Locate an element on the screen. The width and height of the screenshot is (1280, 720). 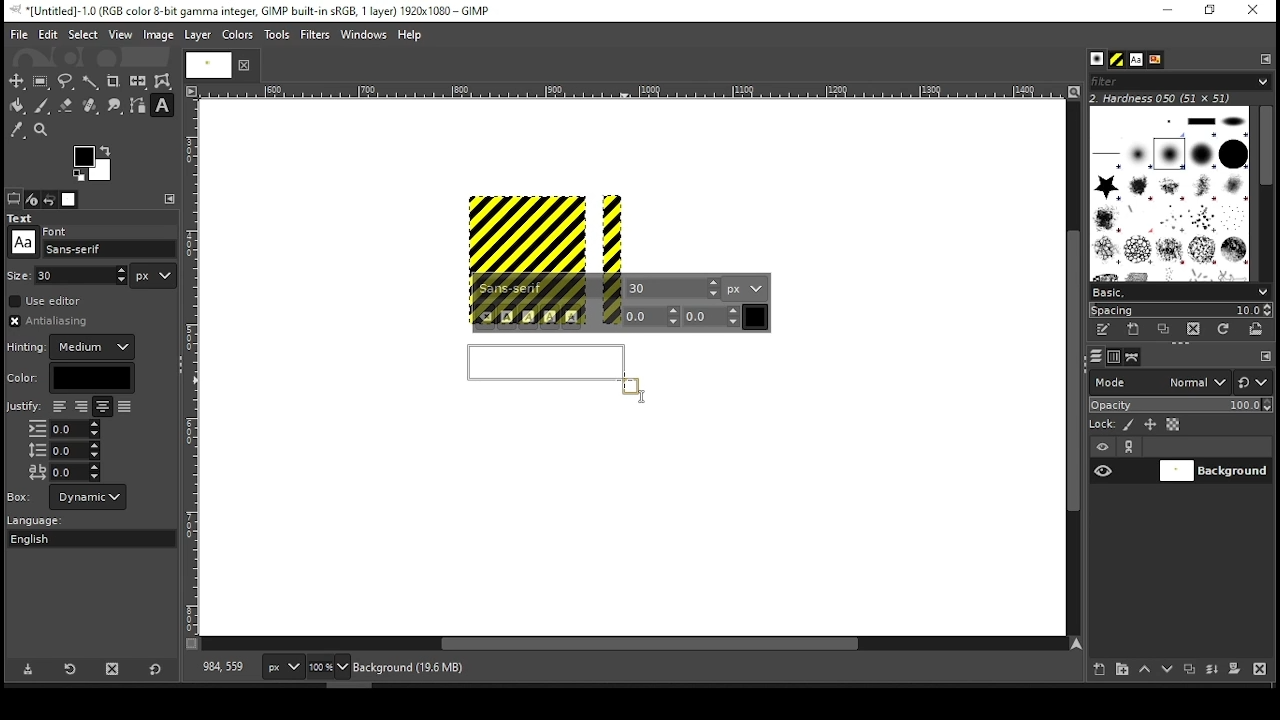
colors is located at coordinates (93, 163).